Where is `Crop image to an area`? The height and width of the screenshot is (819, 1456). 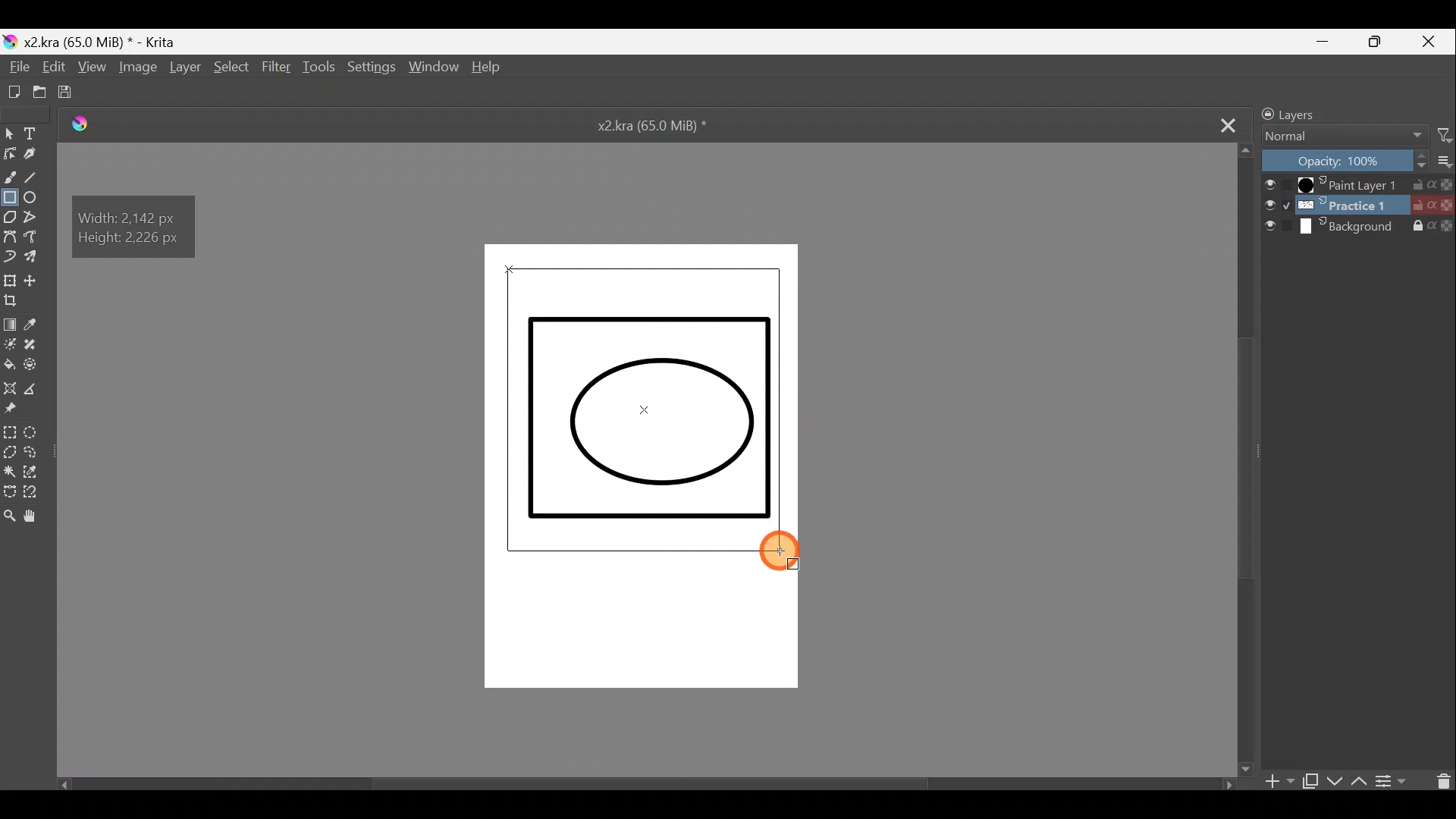 Crop image to an area is located at coordinates (17, 300).